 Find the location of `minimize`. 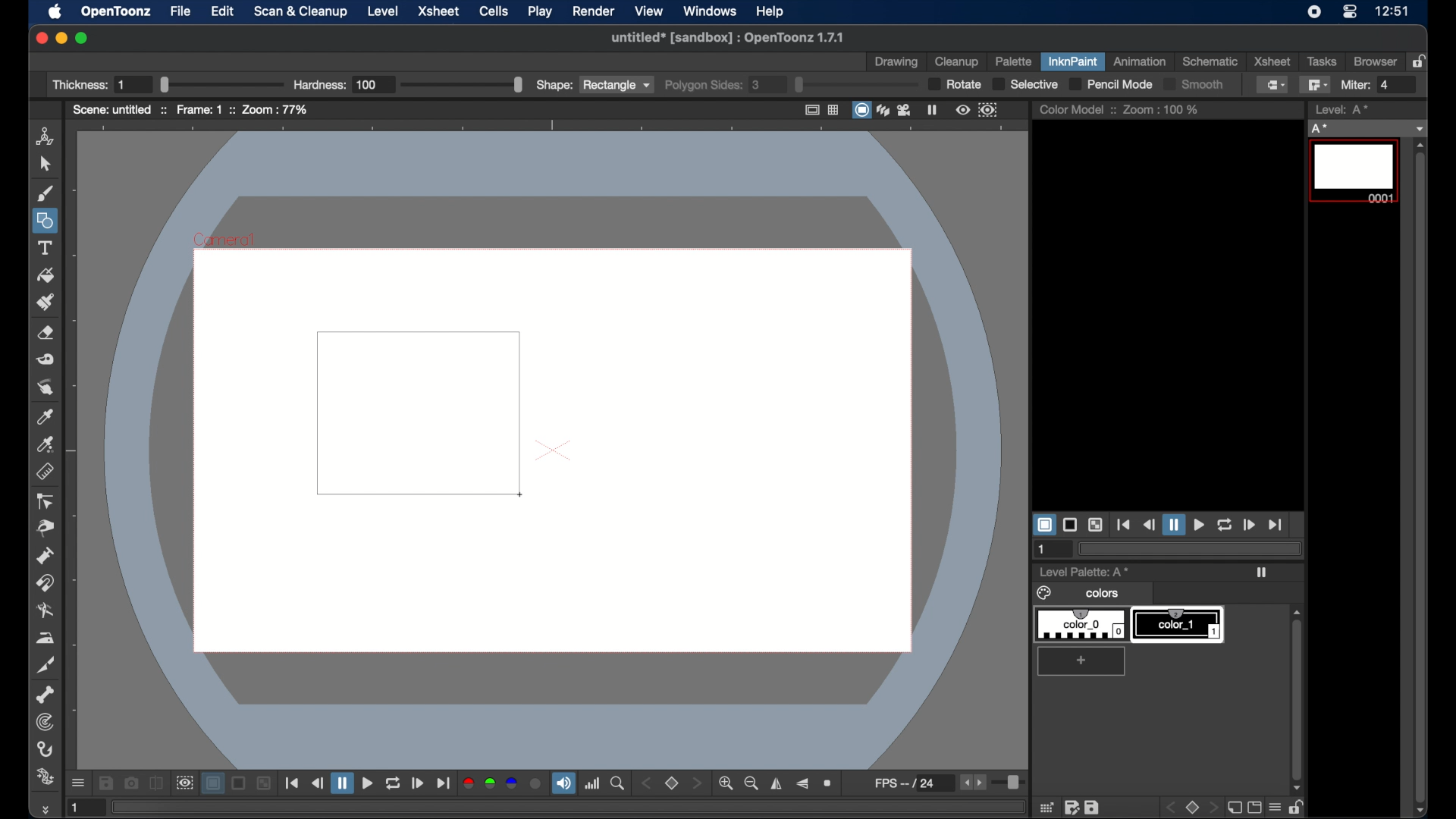

minimize is located at coordinates (61, 38).